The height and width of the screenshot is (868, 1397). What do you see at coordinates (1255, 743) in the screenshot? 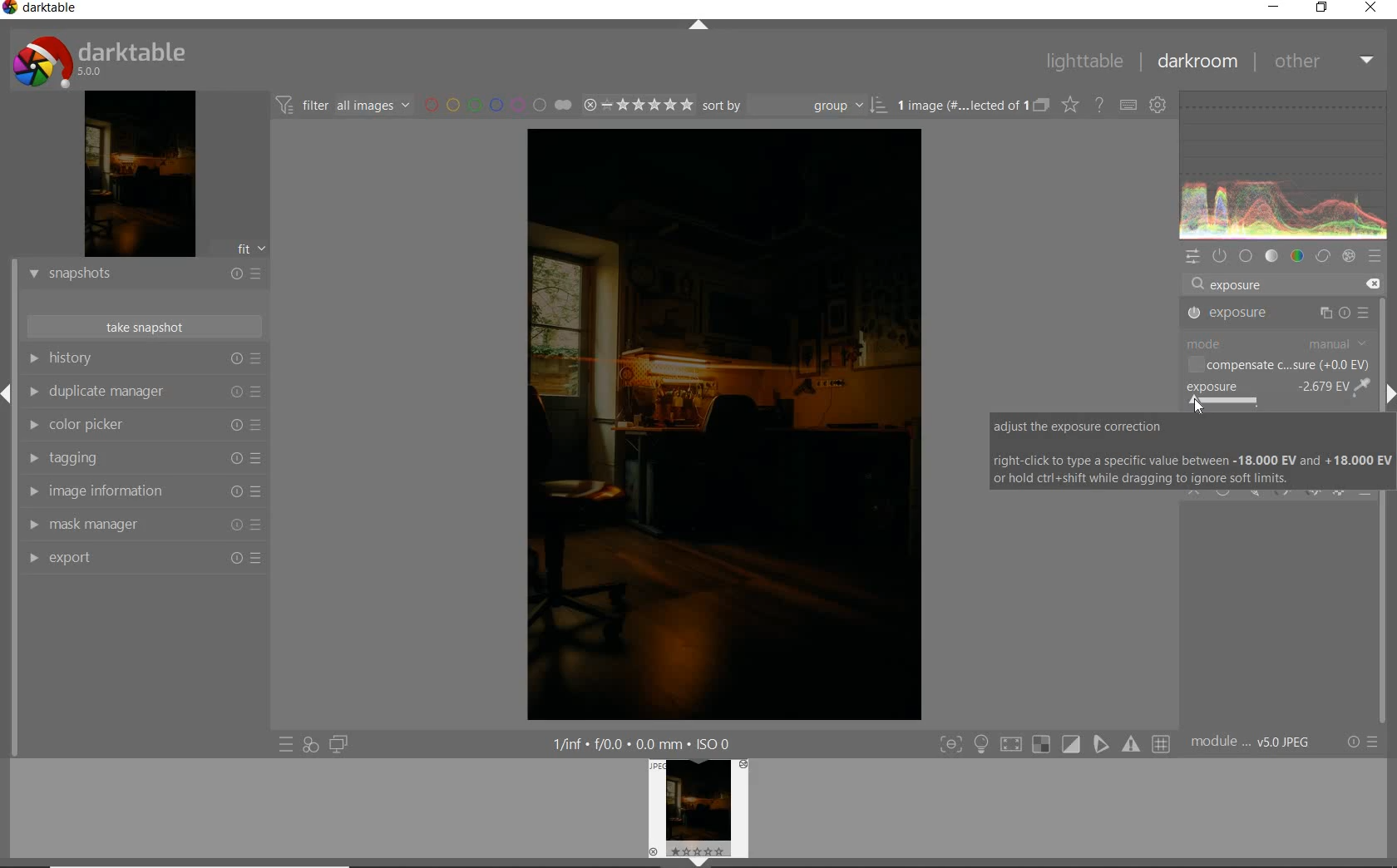
I see `module` at bounding box center [1255, 743].